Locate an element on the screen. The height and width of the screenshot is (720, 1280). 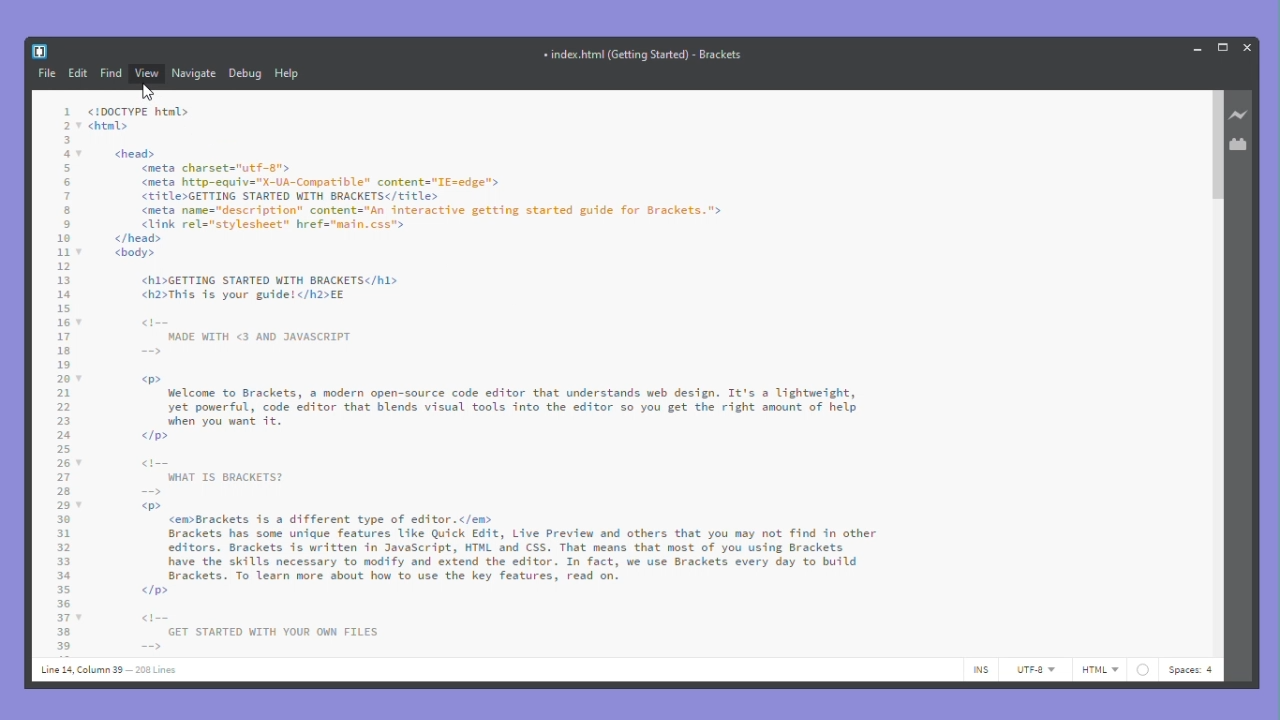
<!-- MADE WITH <3 AND JAVASCRIPT --> is located at coordinates (247, 336).